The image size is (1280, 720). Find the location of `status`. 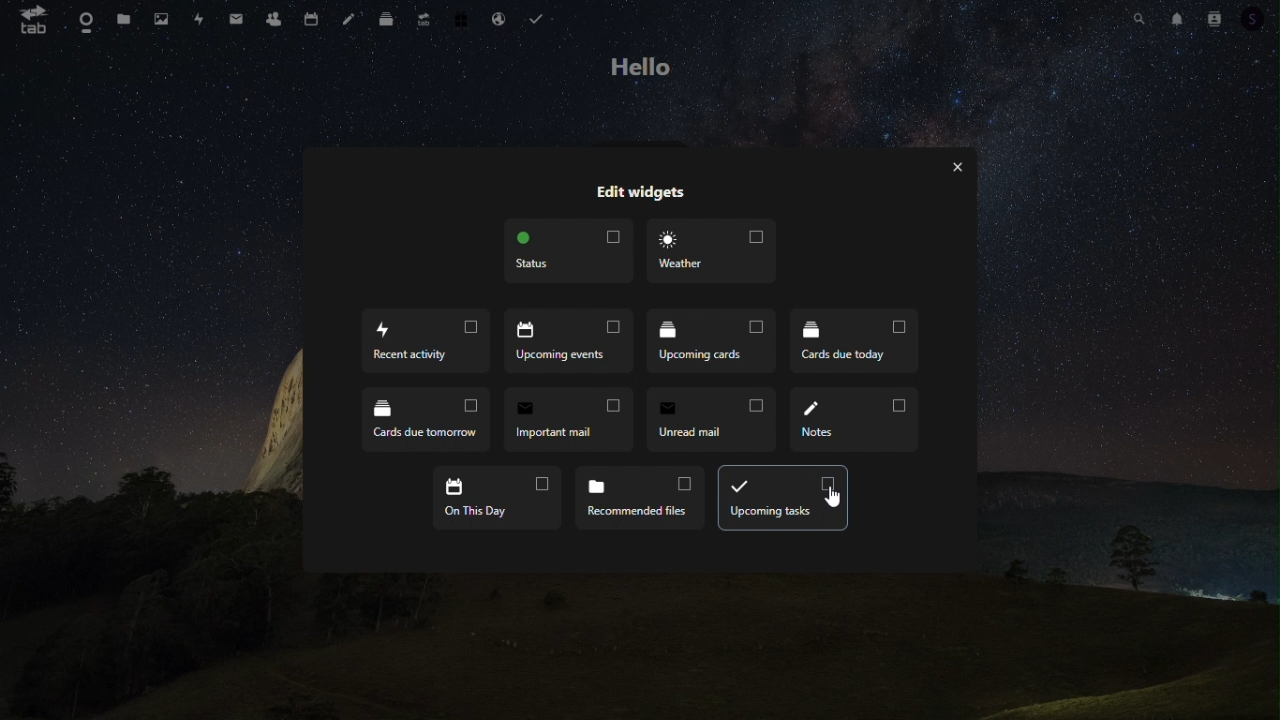

status is located at coordinates (571, 253).